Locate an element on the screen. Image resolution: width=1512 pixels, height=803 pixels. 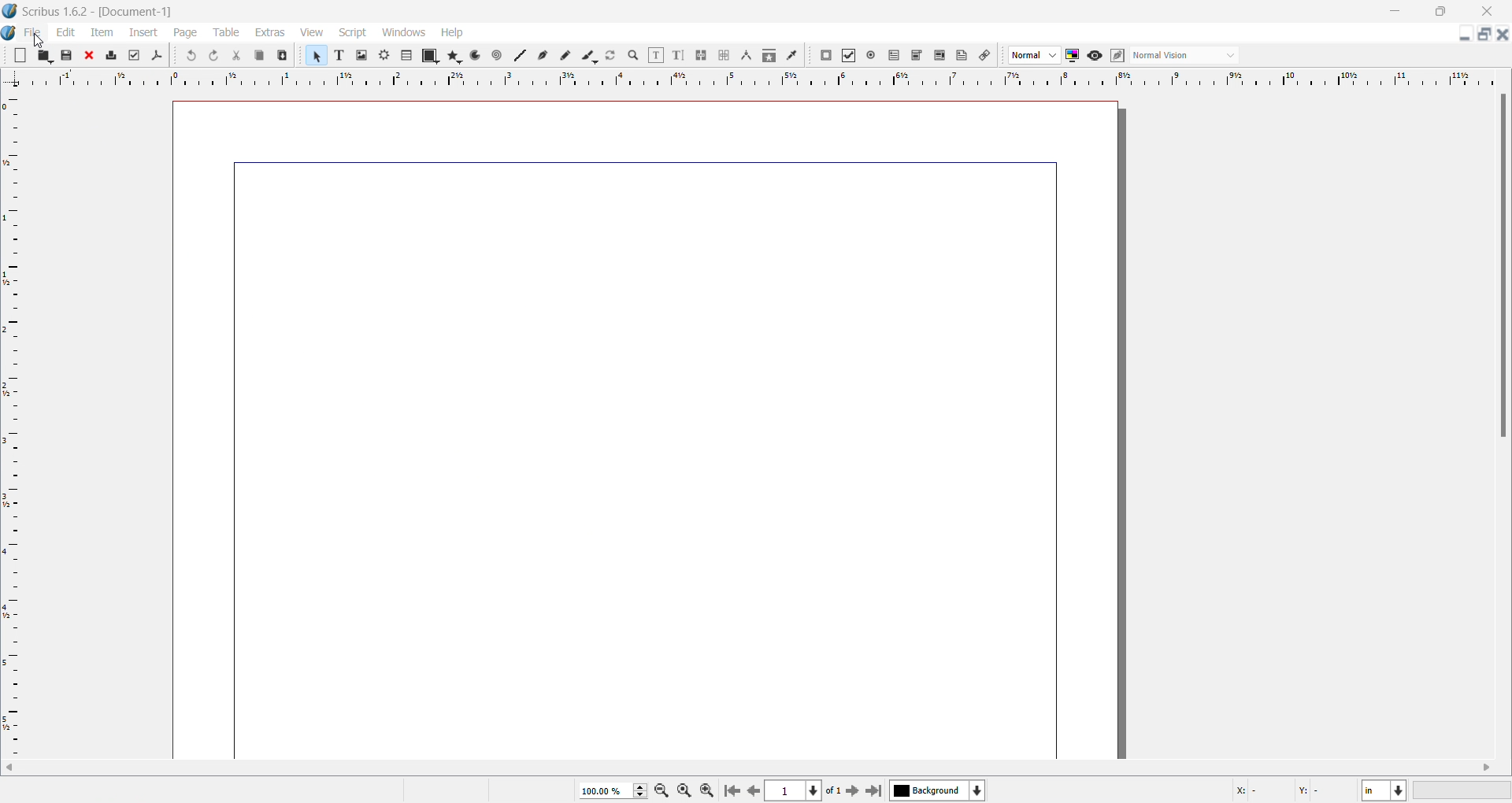
View is located at coordinates (313, 34).